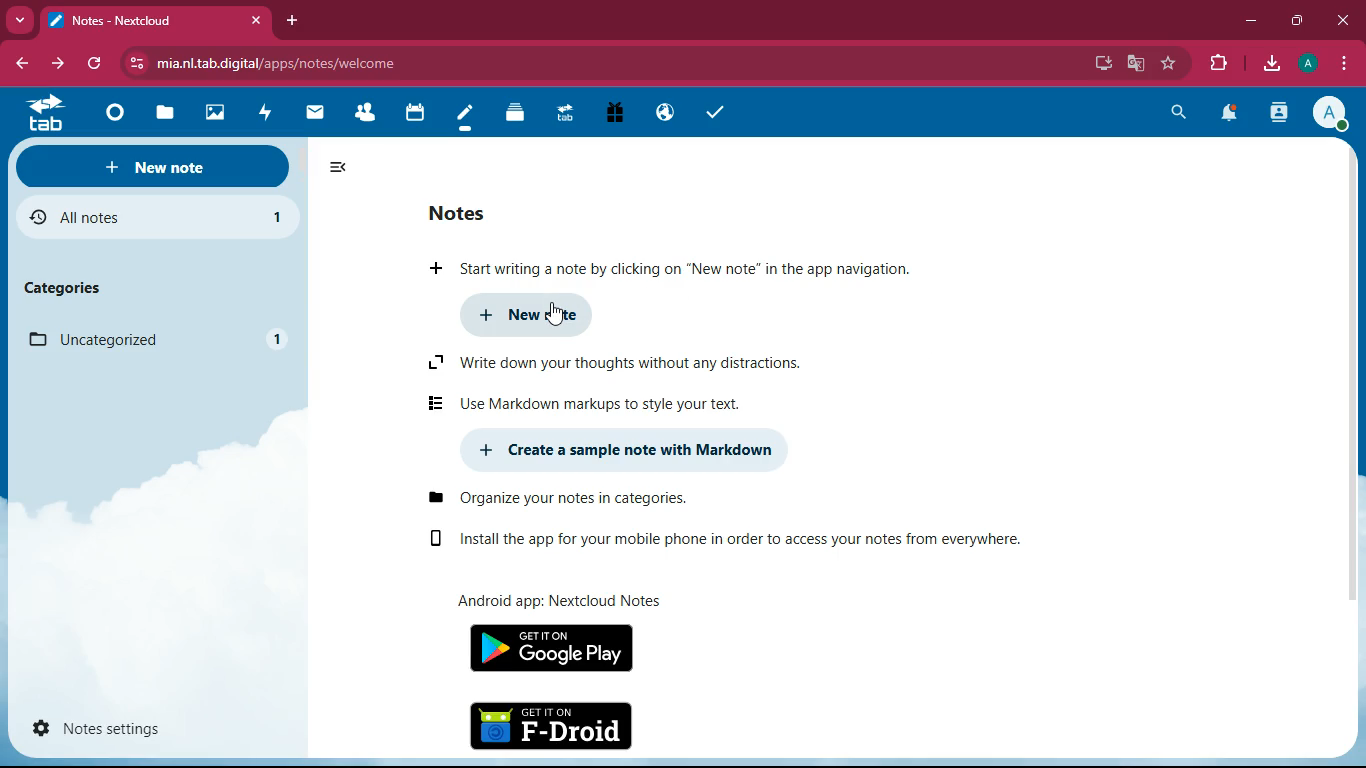 The width and height of the screenshot is (1366, 768). What do you see at coordinates (118, 109) in the screenshot?
I see `home` at bounding box center [118, 109].